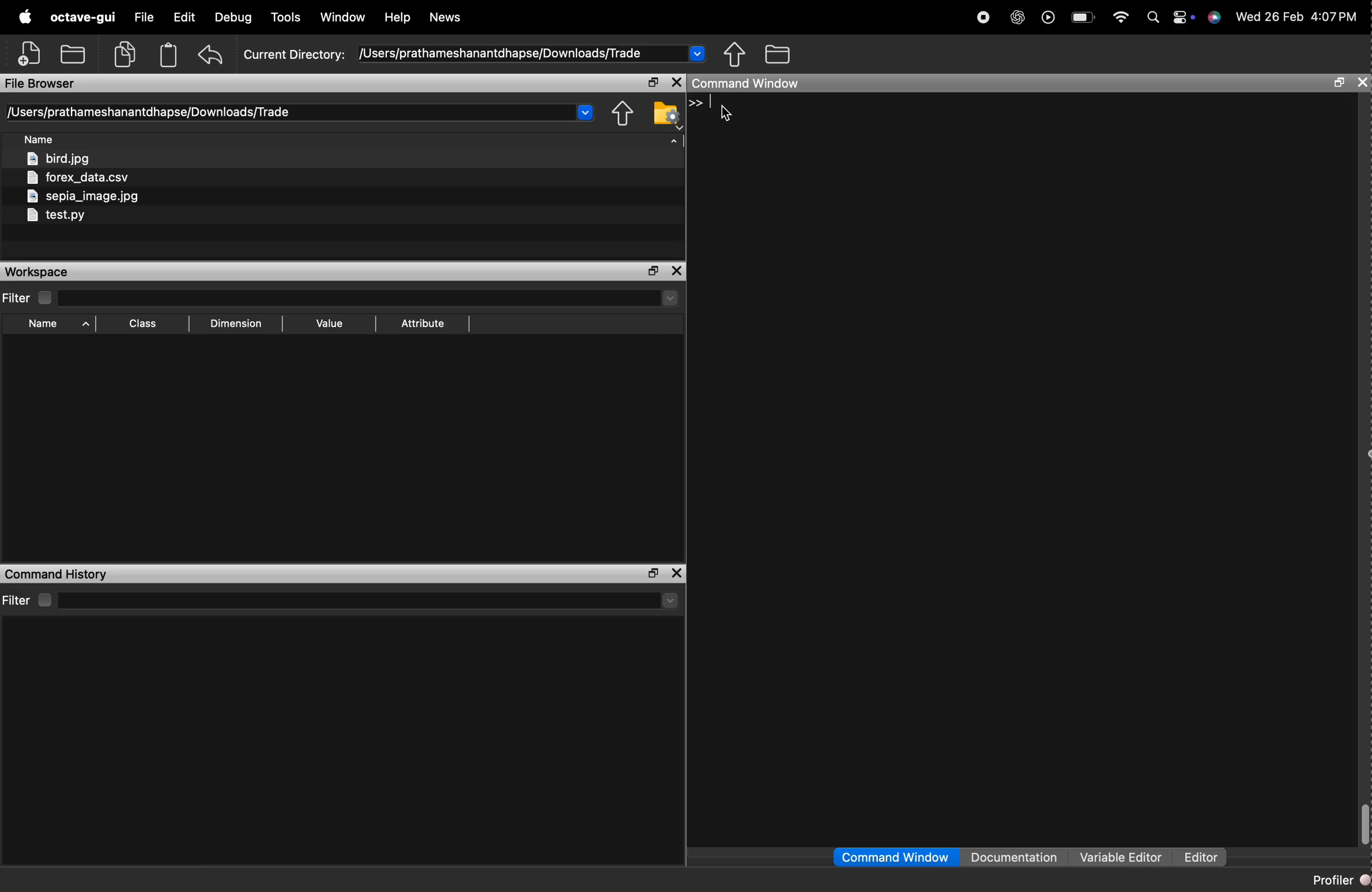  What do you see at coordinates (344, 16) in the screenshot?
I see `Window` at bounding box center [344, 16].